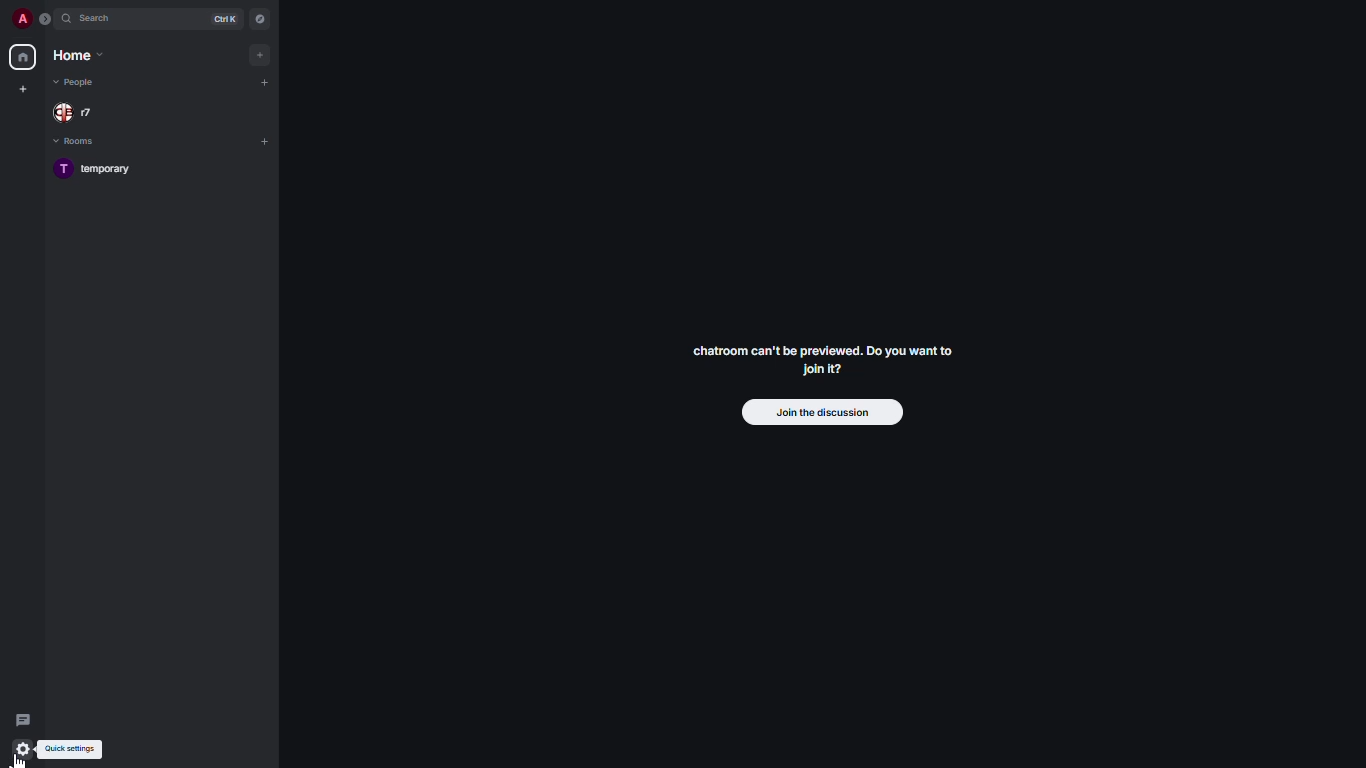 Image resolution: width=1366 pixels, height=768 pixels. I want to click on create new space, so click(22, 87).